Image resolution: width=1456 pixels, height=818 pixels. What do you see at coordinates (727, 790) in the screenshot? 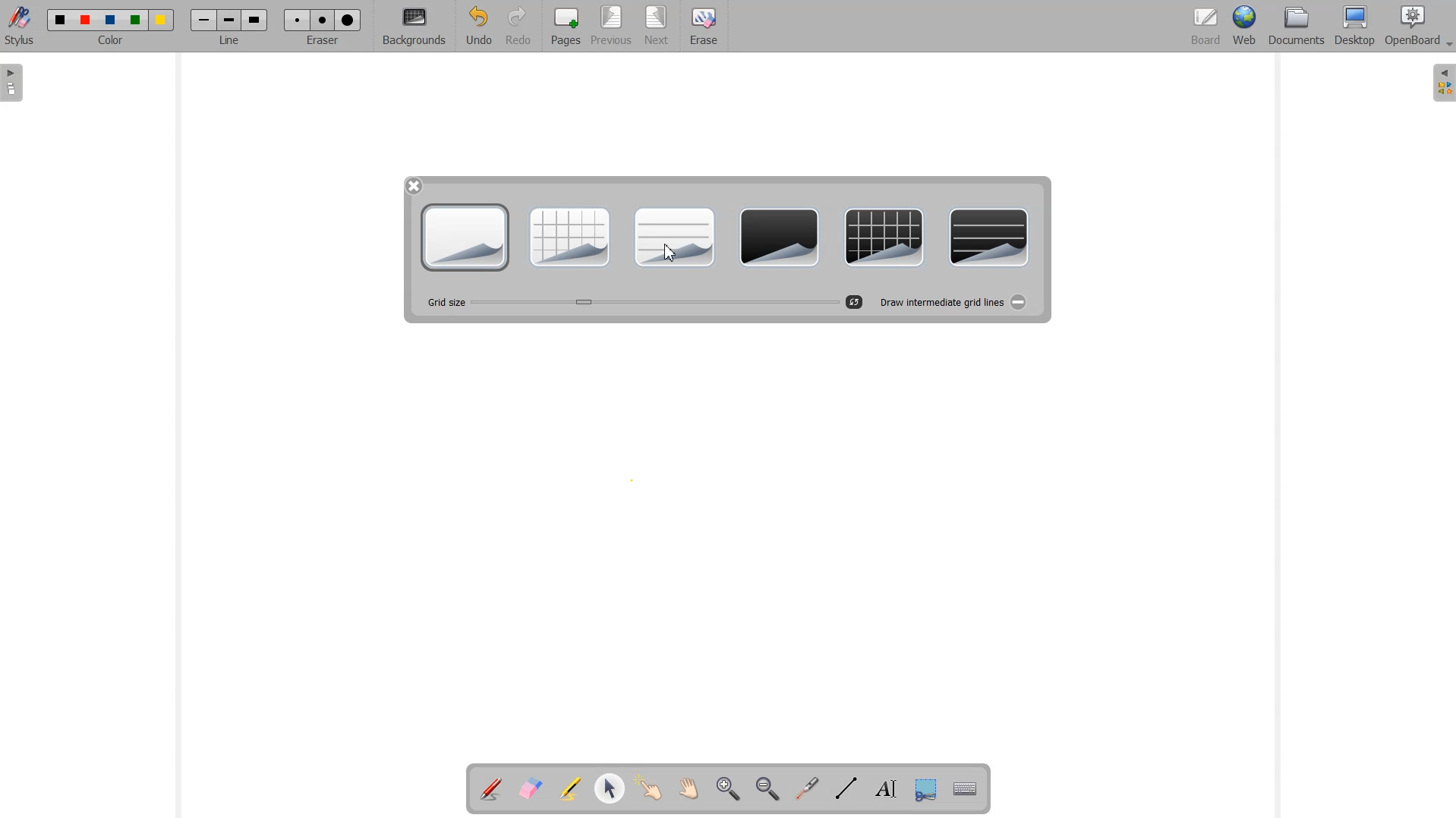
I see `Zoom In` at bounding box center [727, 790].